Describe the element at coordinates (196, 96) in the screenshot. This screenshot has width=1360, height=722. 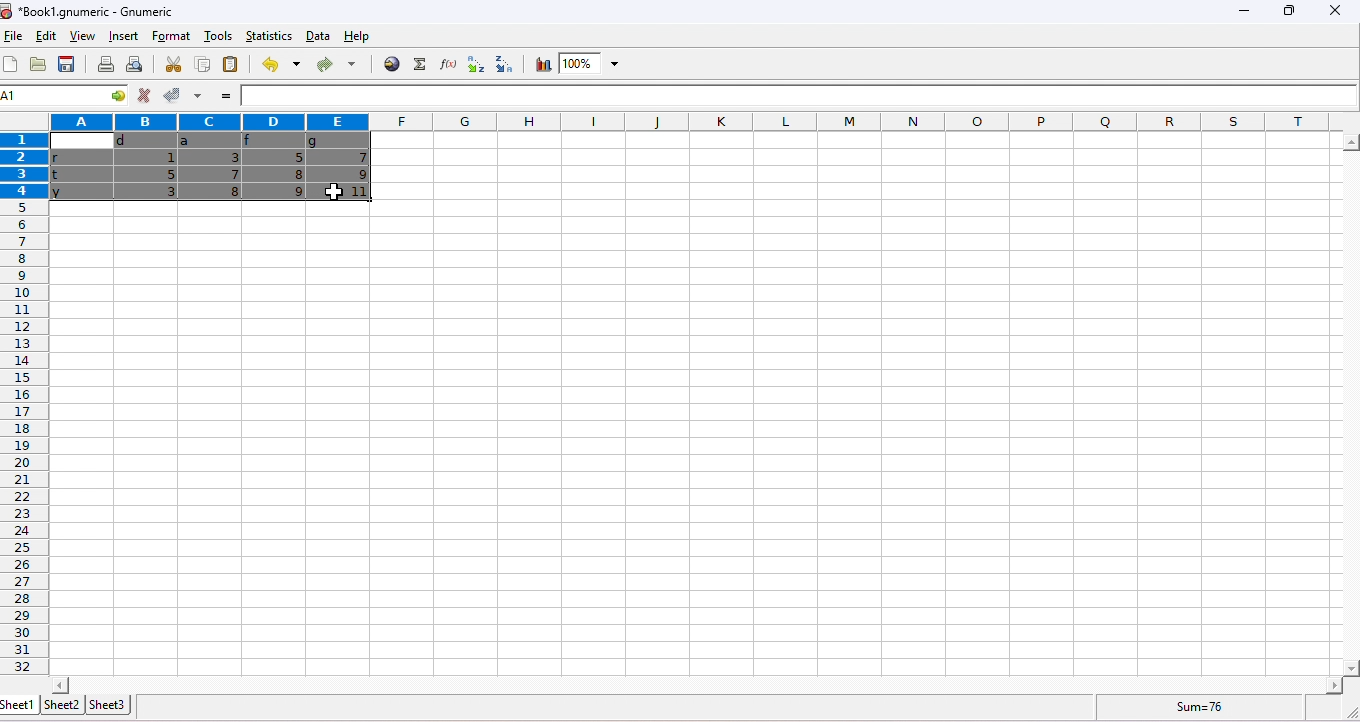
I see `accept multiple changes` at that location.